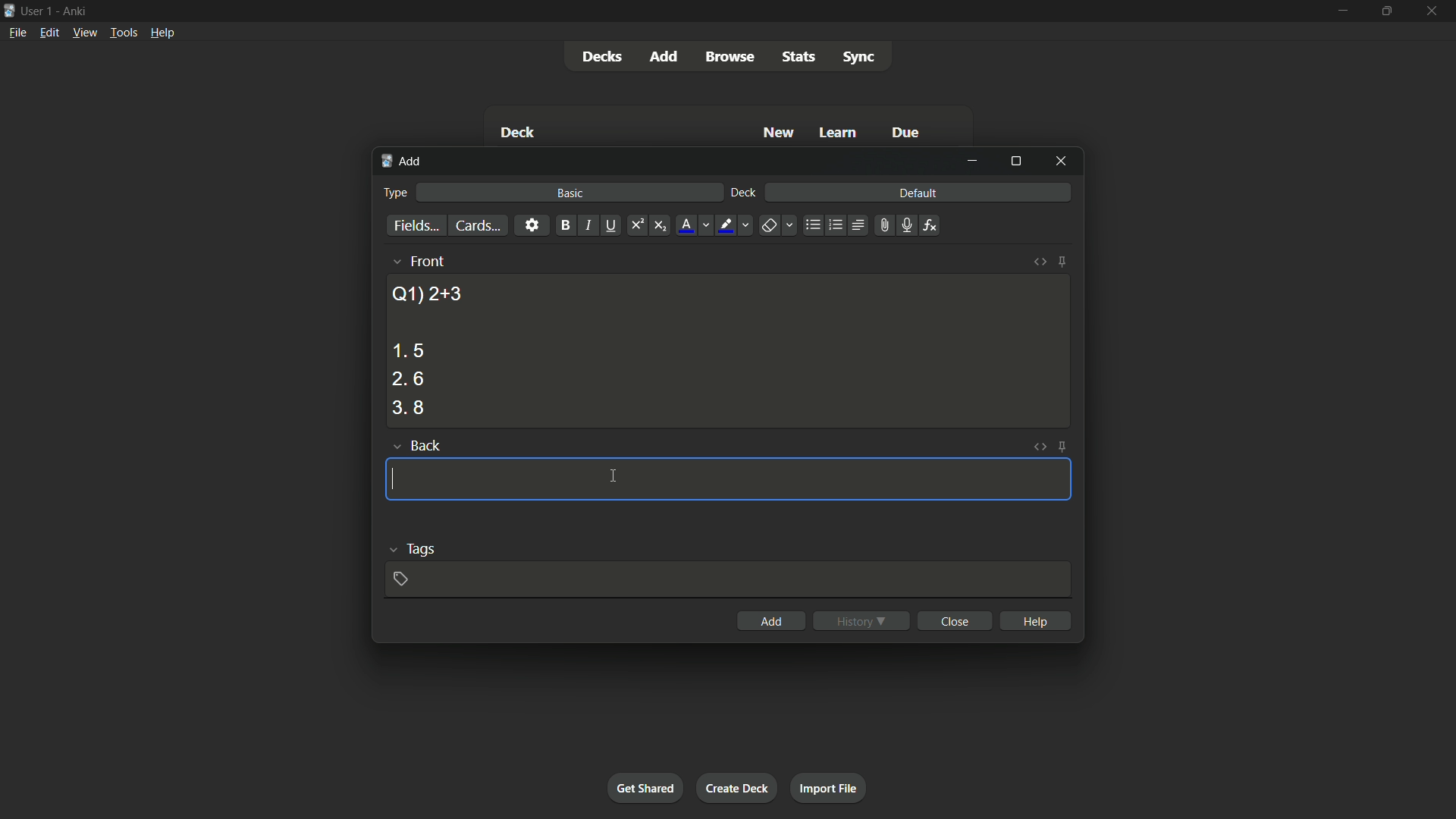 This screenshot has width=1456, height=819. Describe the element at coordinates (610, 225) in the screenshot. I see `underline` at that location.